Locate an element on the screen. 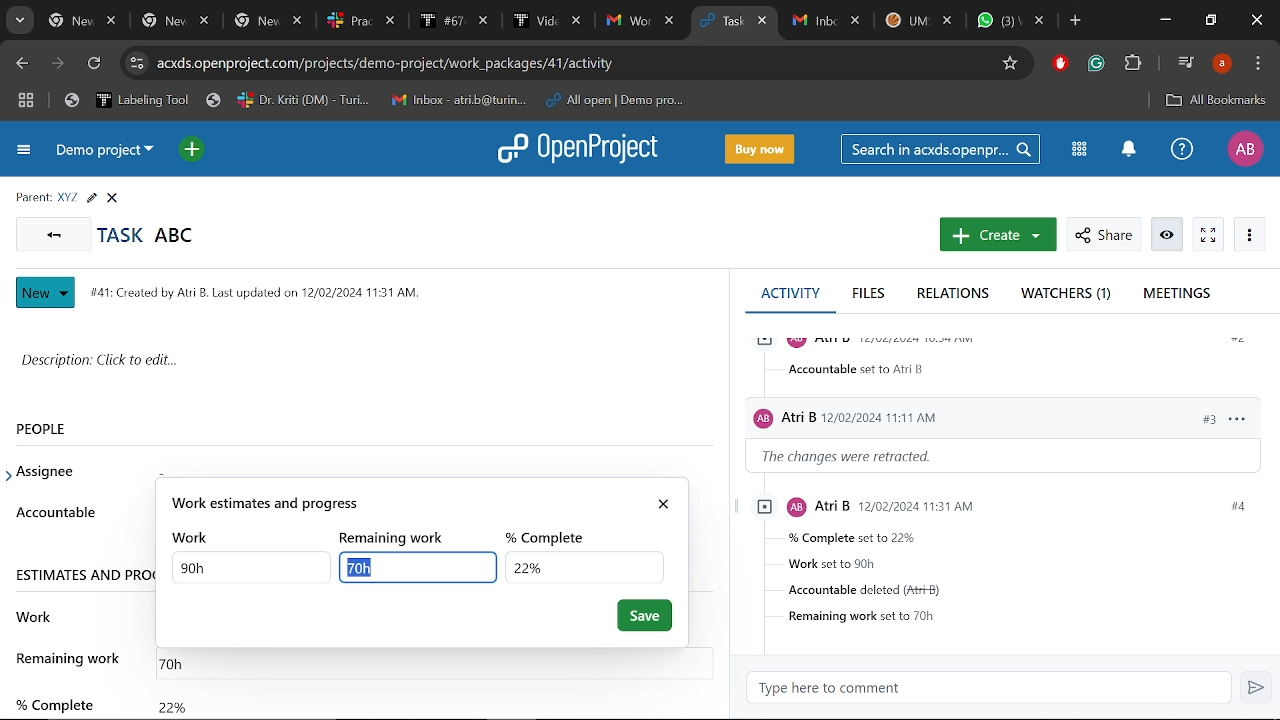 The height and width of the screenshot is (720, 1280). Current task name is located at coordinates (153, 234).